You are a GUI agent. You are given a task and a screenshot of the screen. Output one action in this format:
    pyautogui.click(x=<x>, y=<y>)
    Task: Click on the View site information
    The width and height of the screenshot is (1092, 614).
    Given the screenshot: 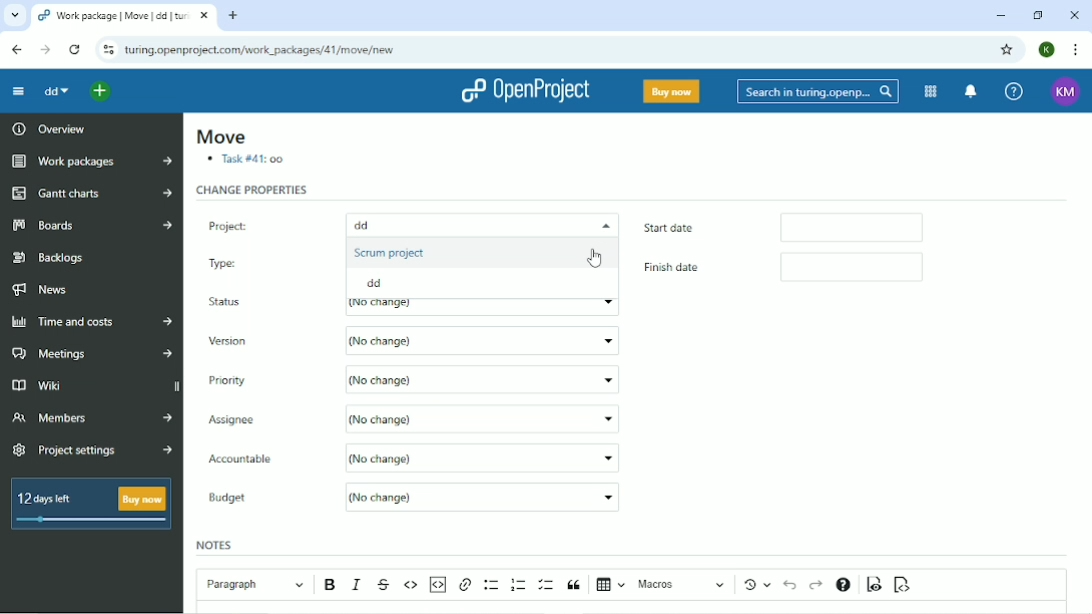 What is the action you would take?
    pyautogui.click(x=107, y=50)
    